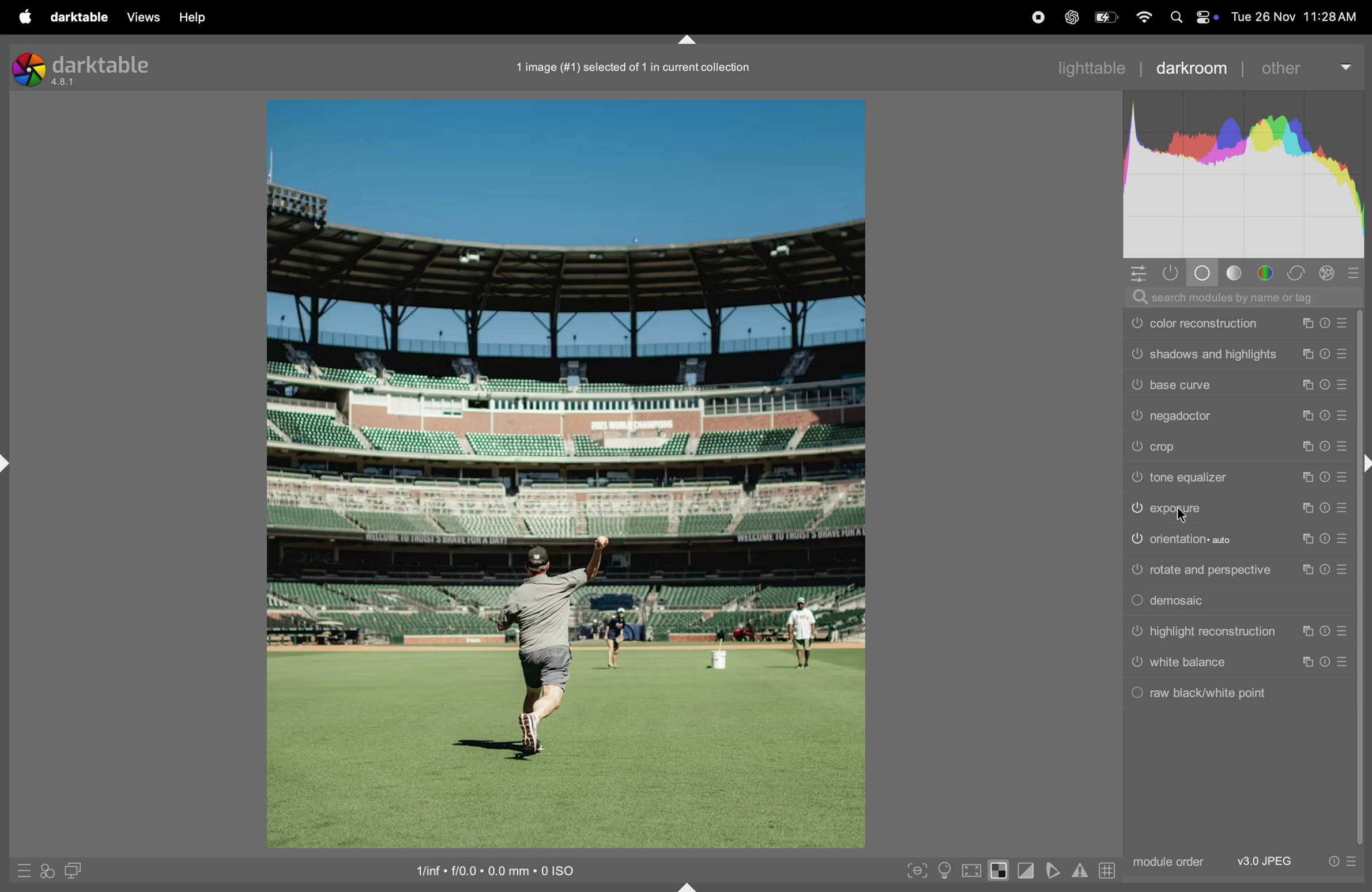  I want to click on expand or collapse , so click(687, 38).